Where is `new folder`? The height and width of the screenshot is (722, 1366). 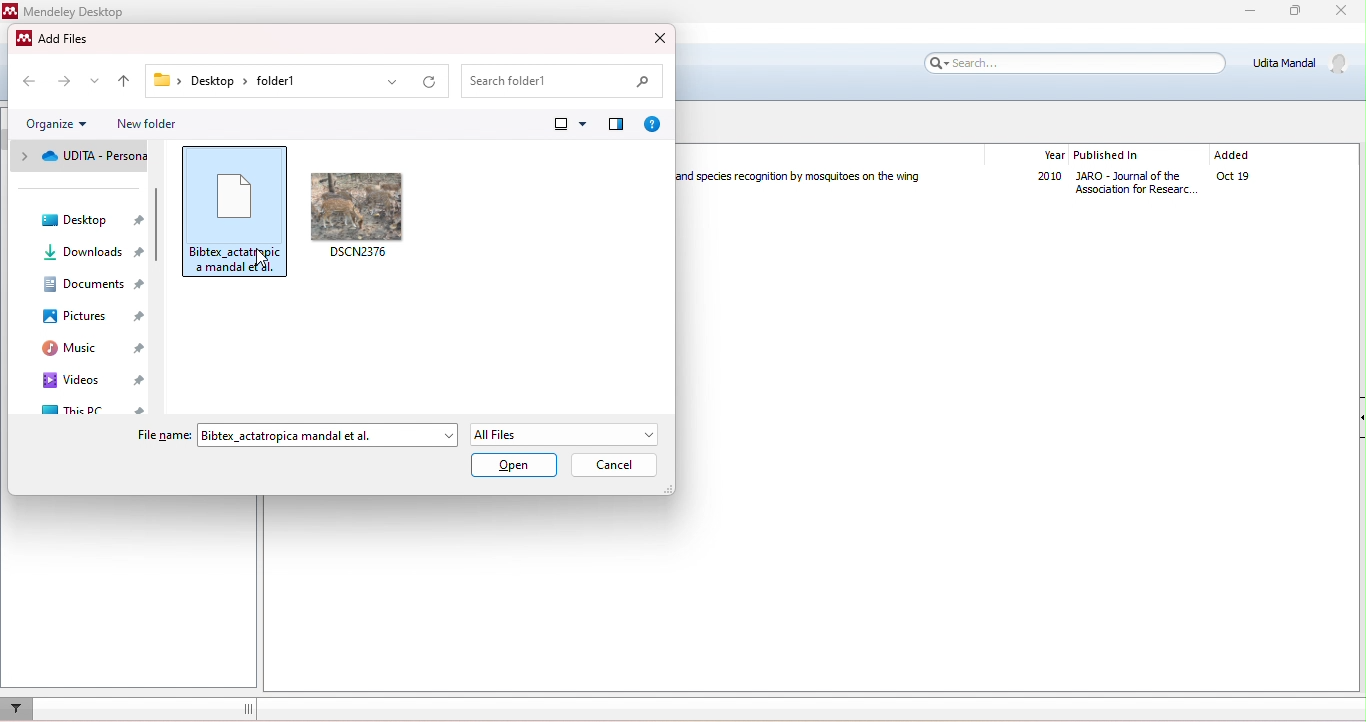
new folder is located at coordinates (149, 124).